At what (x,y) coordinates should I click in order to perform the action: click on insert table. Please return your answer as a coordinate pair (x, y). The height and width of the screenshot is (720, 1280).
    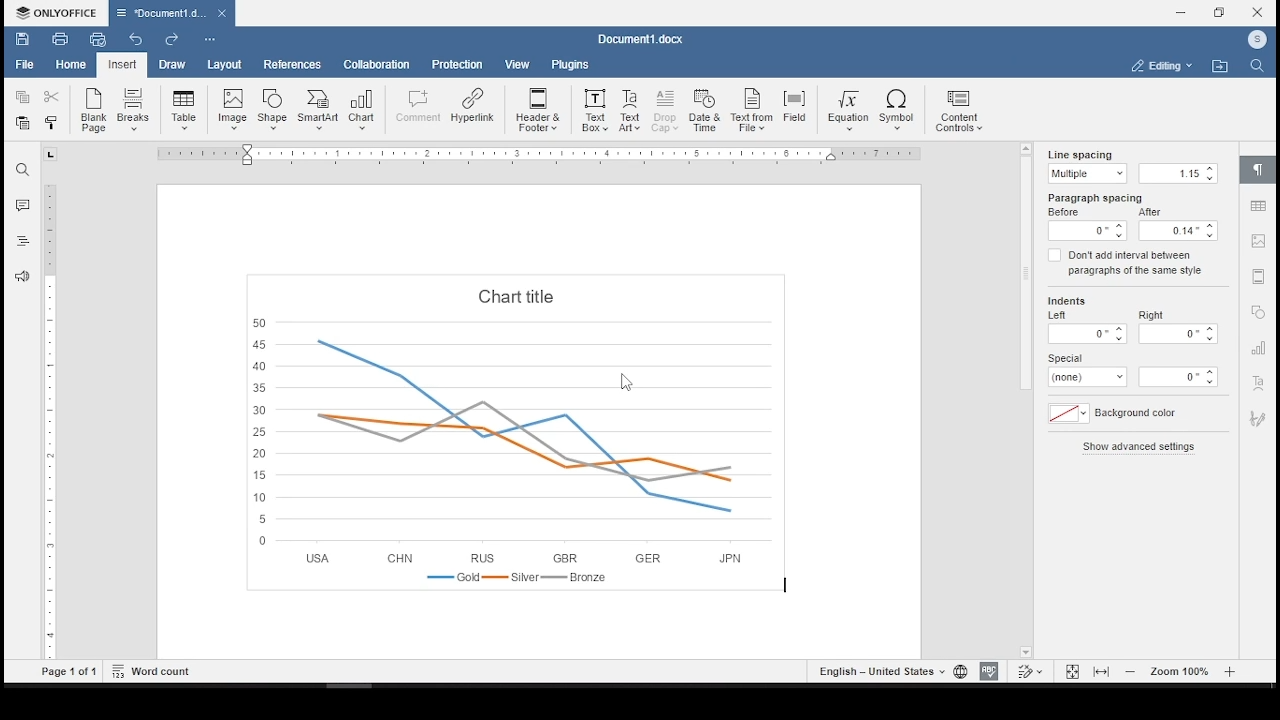
    Looking at the image, I should click on (184, 111).